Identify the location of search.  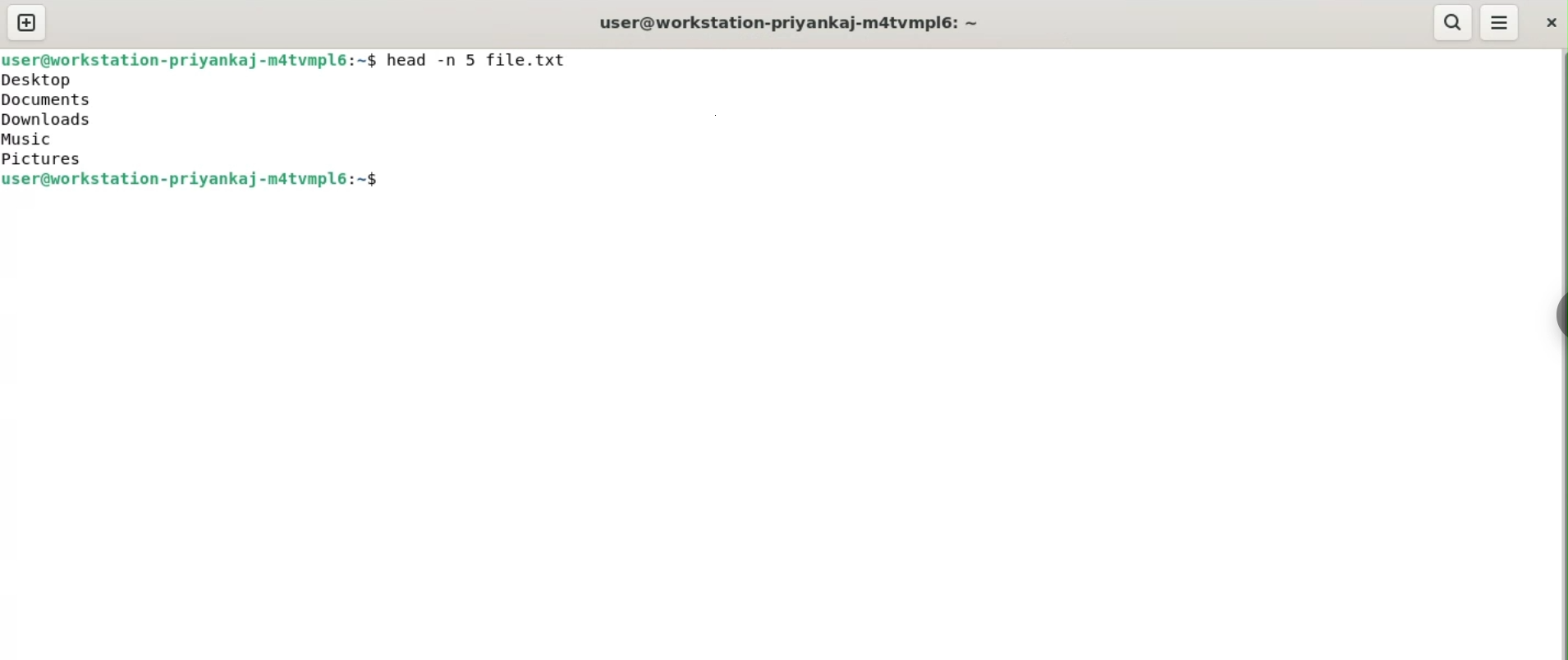
(1455, 21).